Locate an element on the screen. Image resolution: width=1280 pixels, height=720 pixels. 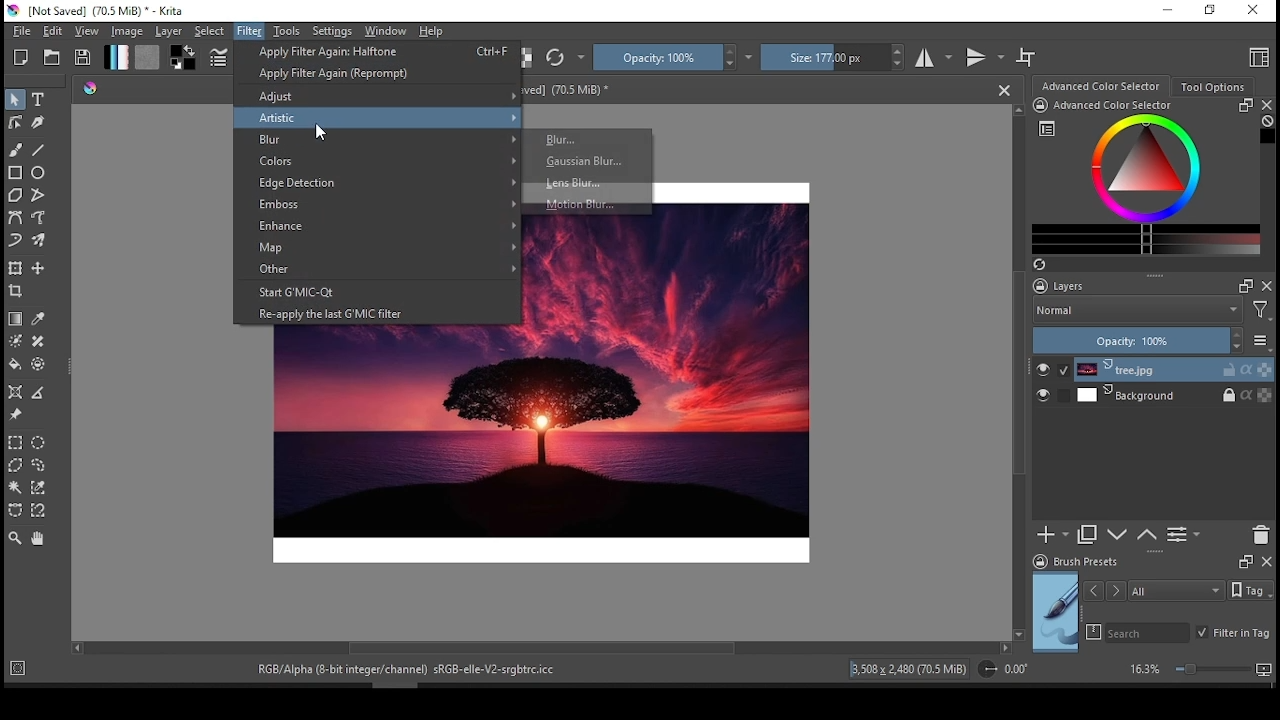
close docker is located at coordinates (1265, 562).